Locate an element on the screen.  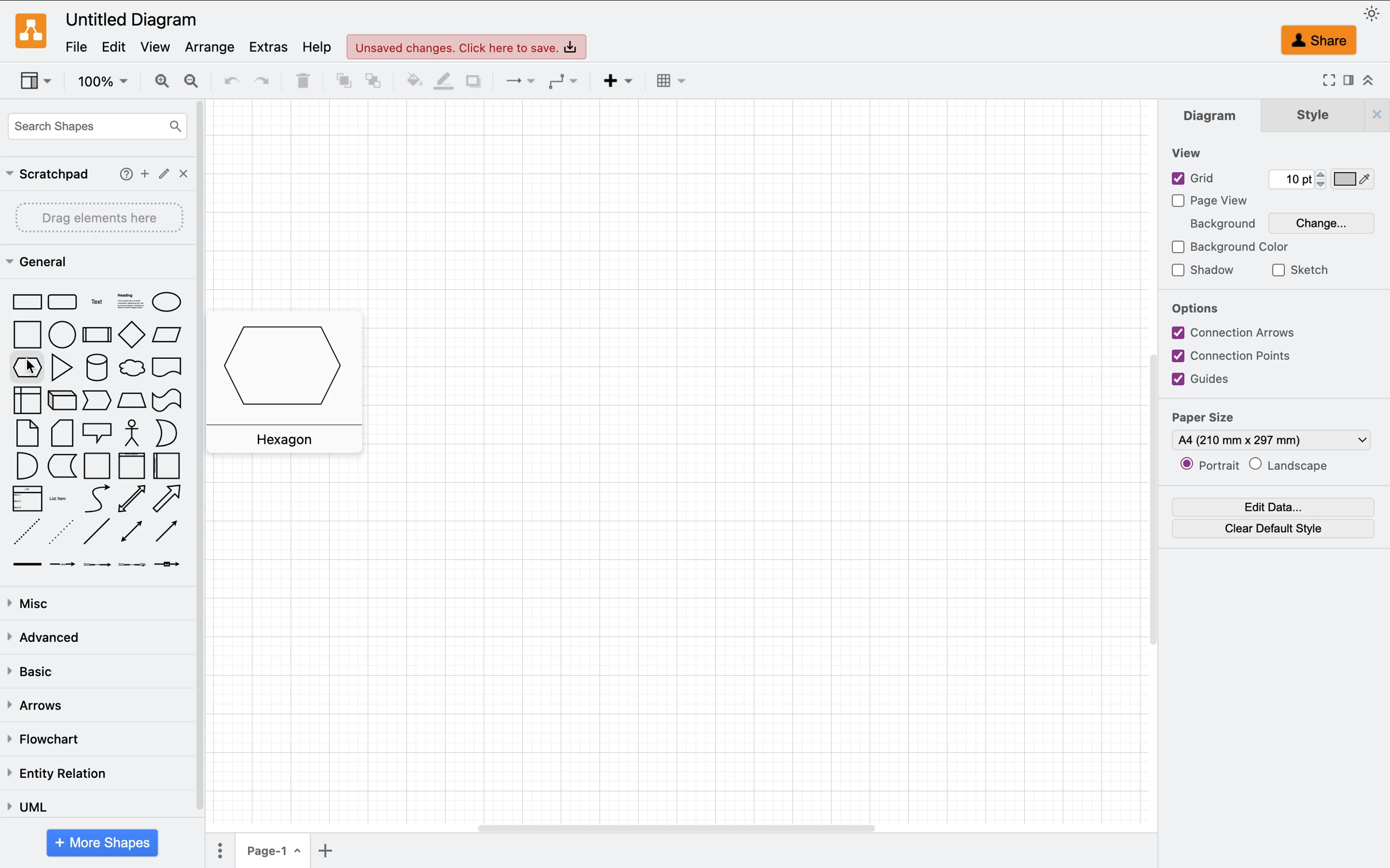
data storage is located at coordinates (62, 466).